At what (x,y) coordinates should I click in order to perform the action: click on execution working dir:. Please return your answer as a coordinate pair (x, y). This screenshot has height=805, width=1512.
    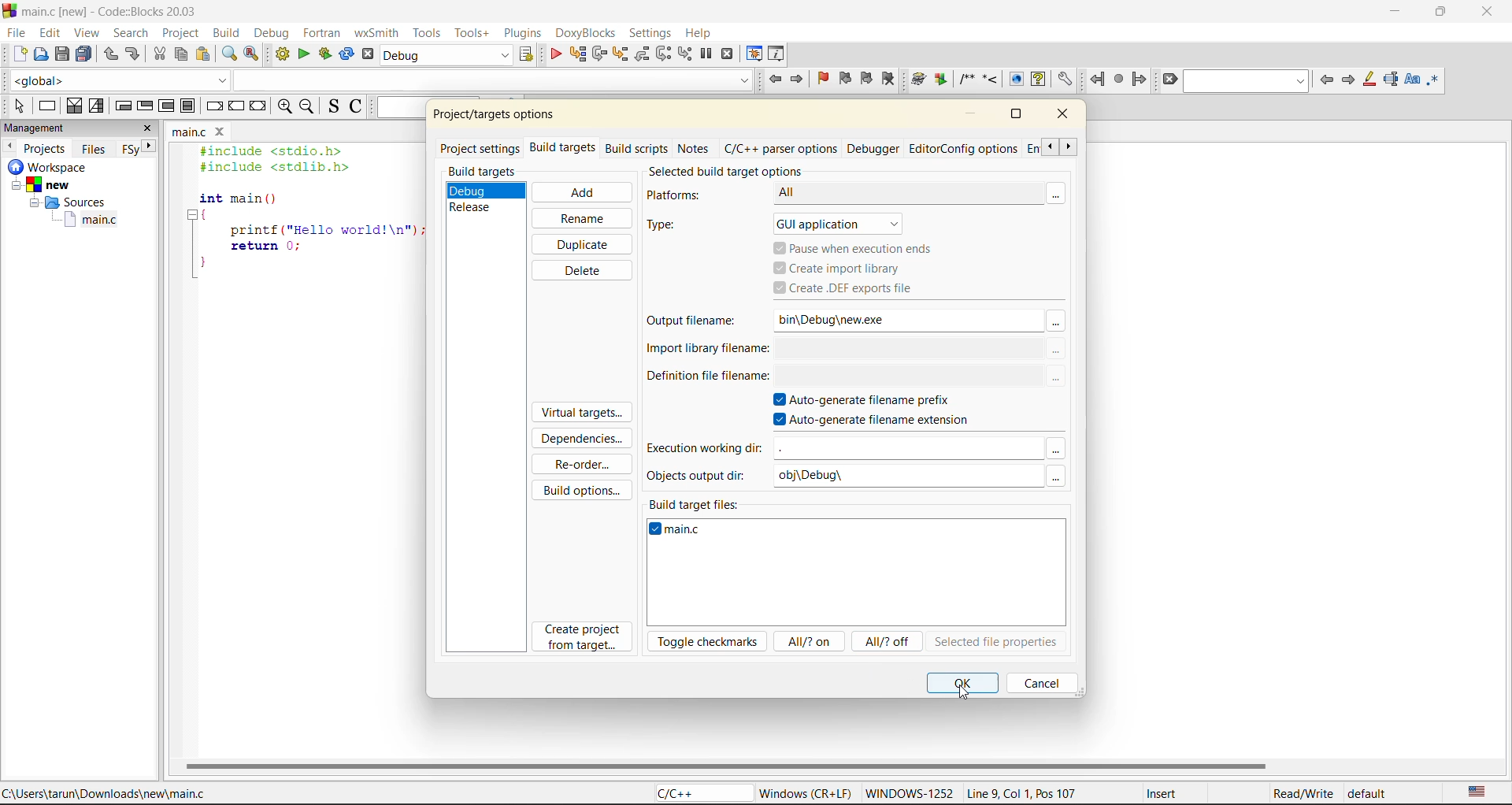
    Looking at the image, I should click on (705, 446).